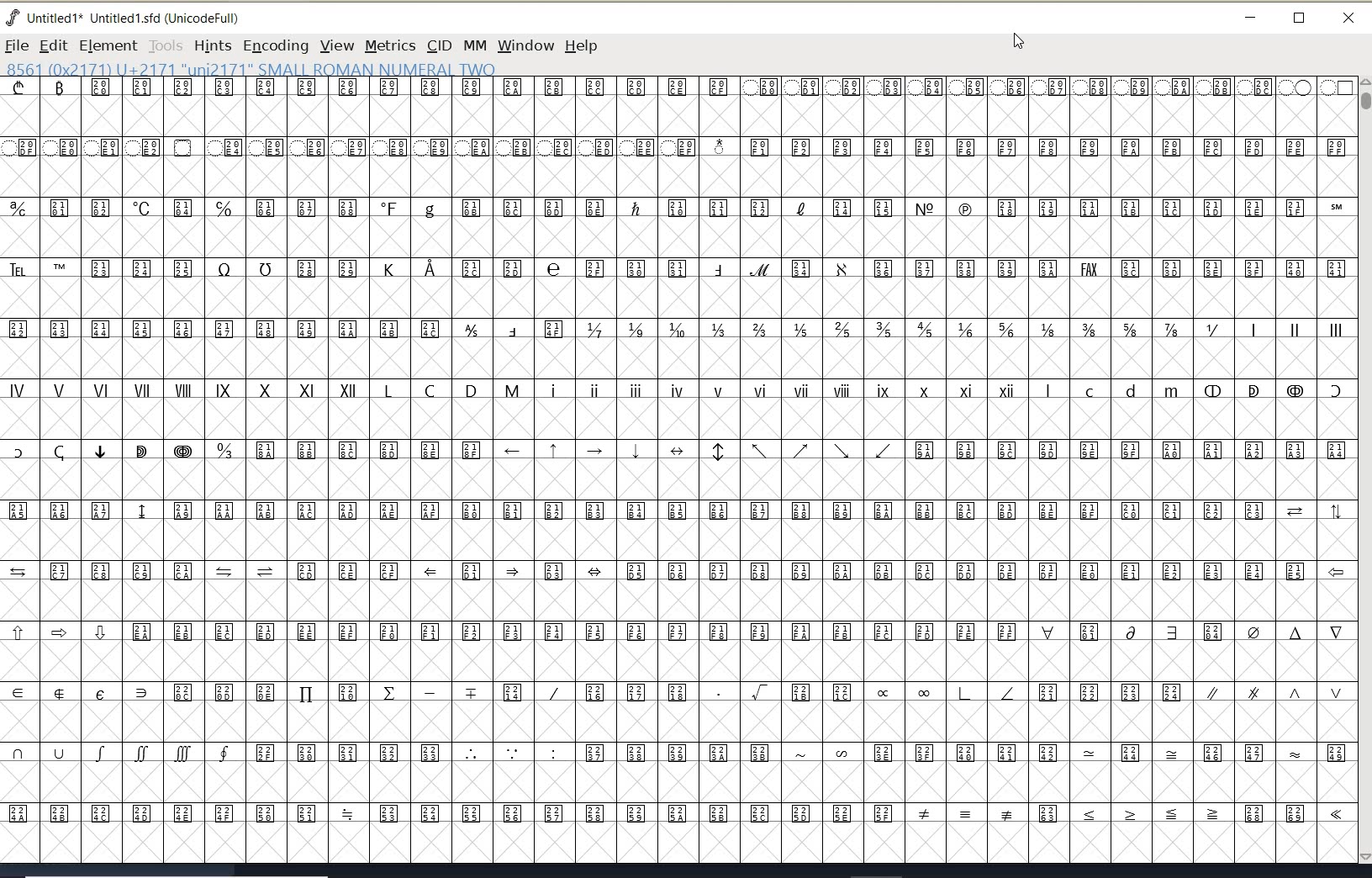 This screenshot has width=1372, height=878. What do you see at coordinates (1251, 18) in the screenshot?
I see `minimize` at bounding box center [1251, 18].